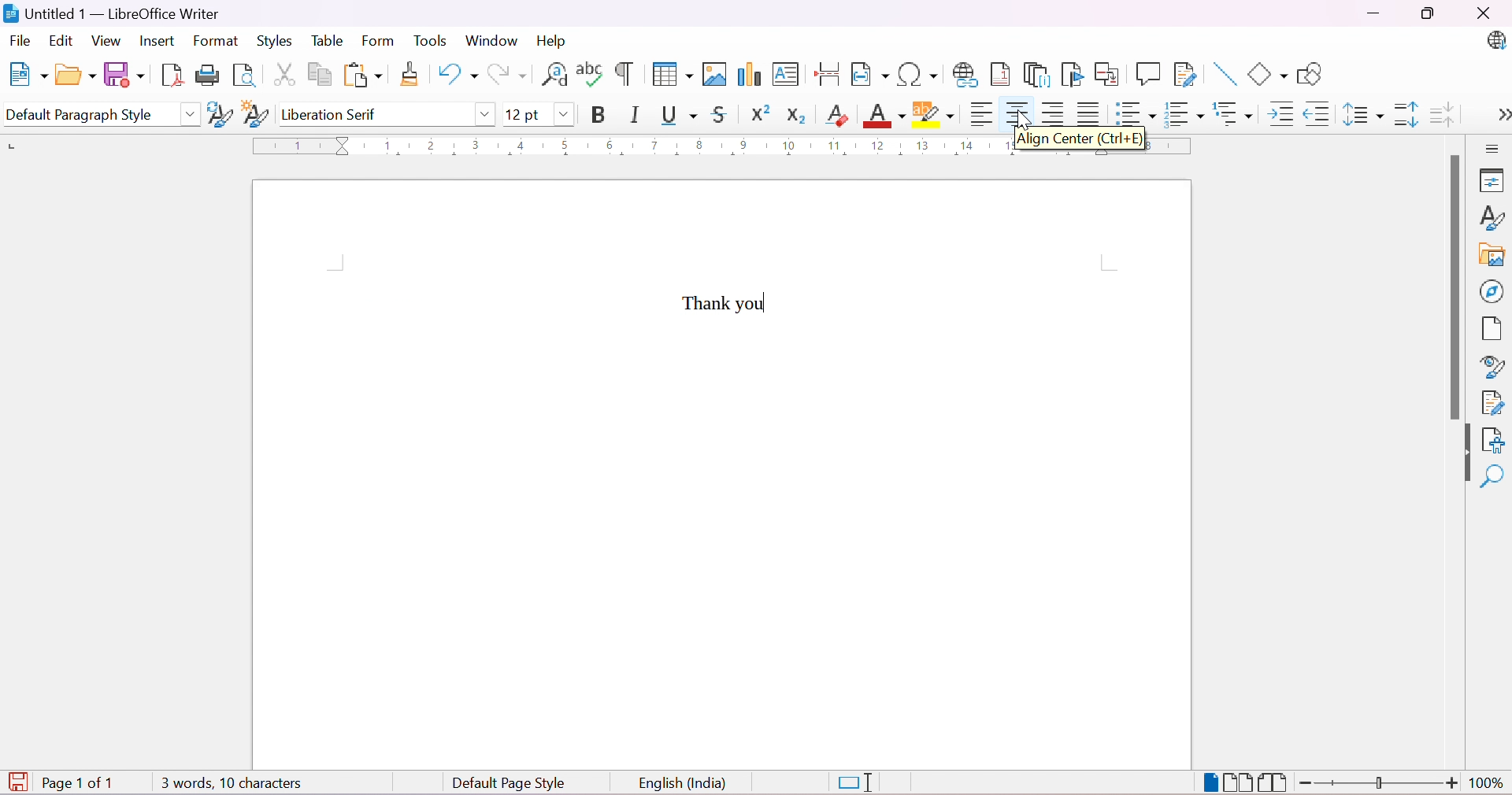  What do you see at coordinates (1372, 14) in the screenshot?
I see `Minimize` at bounding box center [1372, 14].